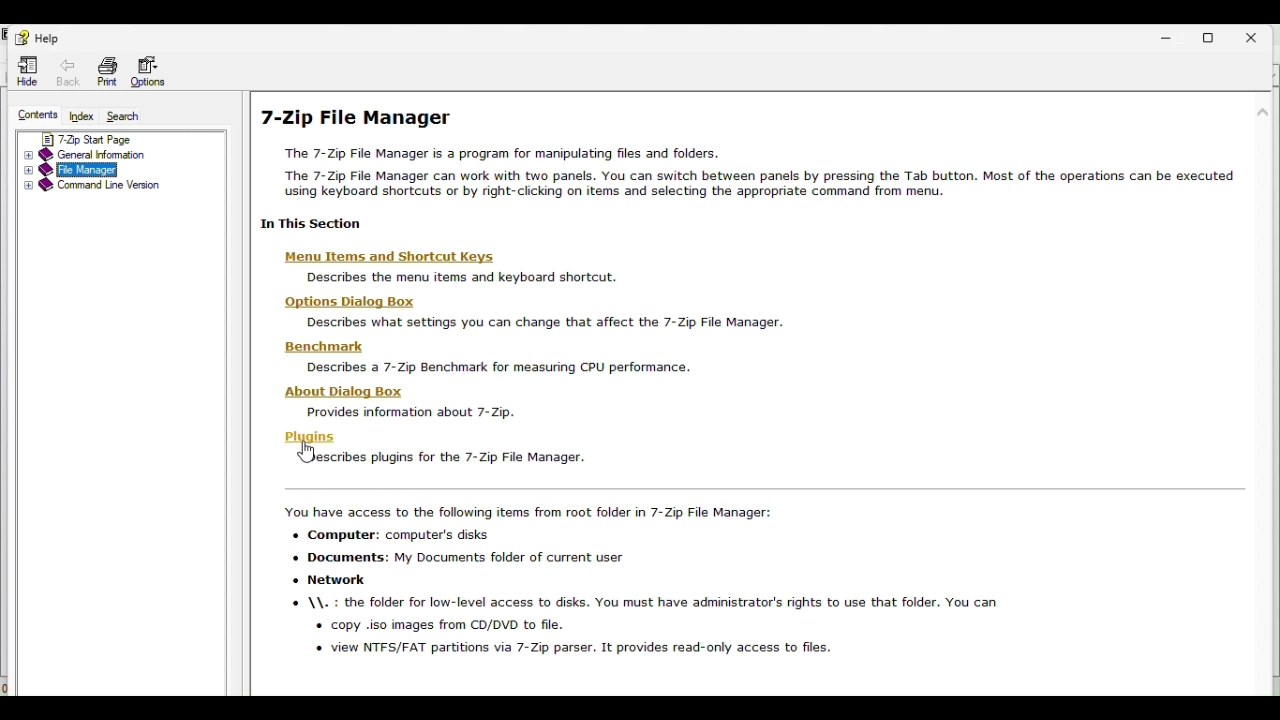 This screenshot has height=720, width=1280. What do you see at coordinates (317, 345) in the screenshot?
I see `Benchmark` at bounding box center [317, 345].